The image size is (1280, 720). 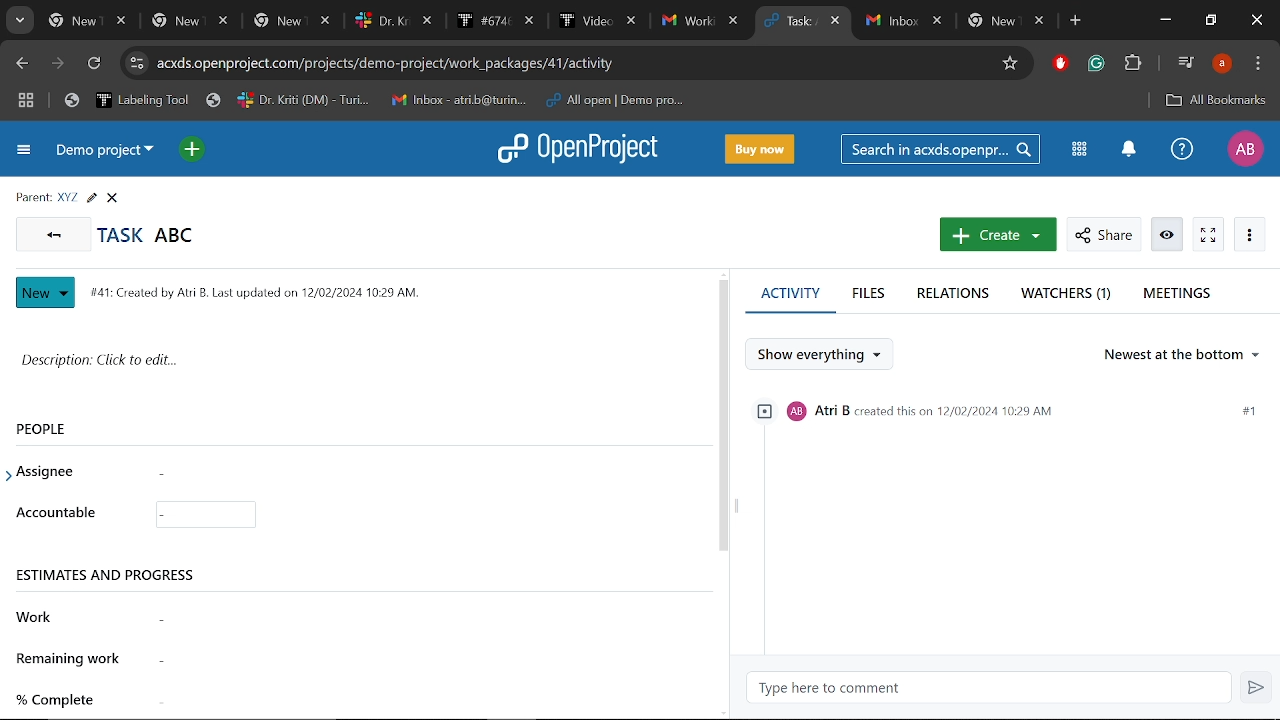 What do you see at coordinates (838, 23) in the screenshot?
I see `Close current tab` at bounding box center [838, 23].